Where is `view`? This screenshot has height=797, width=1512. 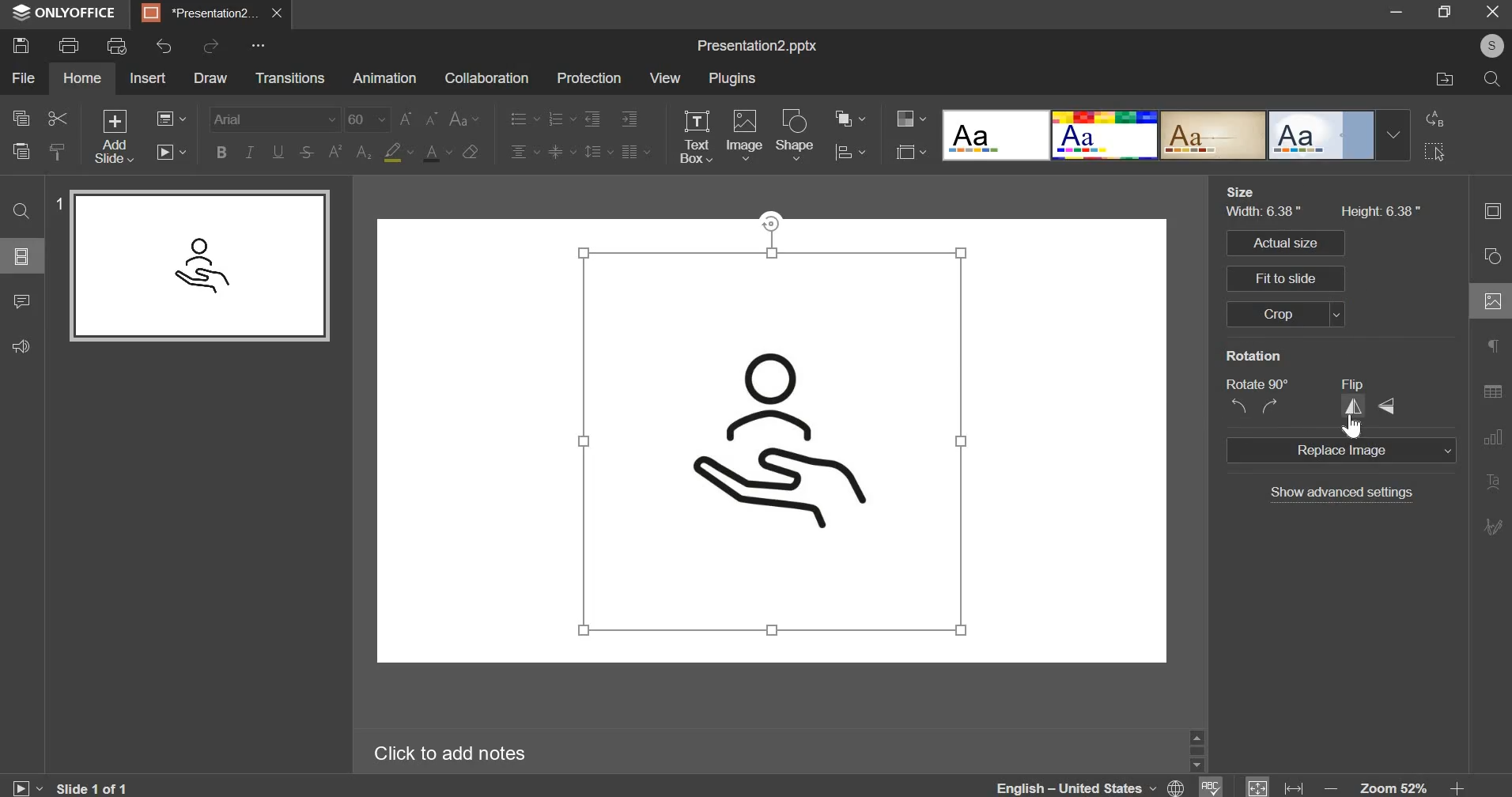 view is located at coordinates (664, 77).